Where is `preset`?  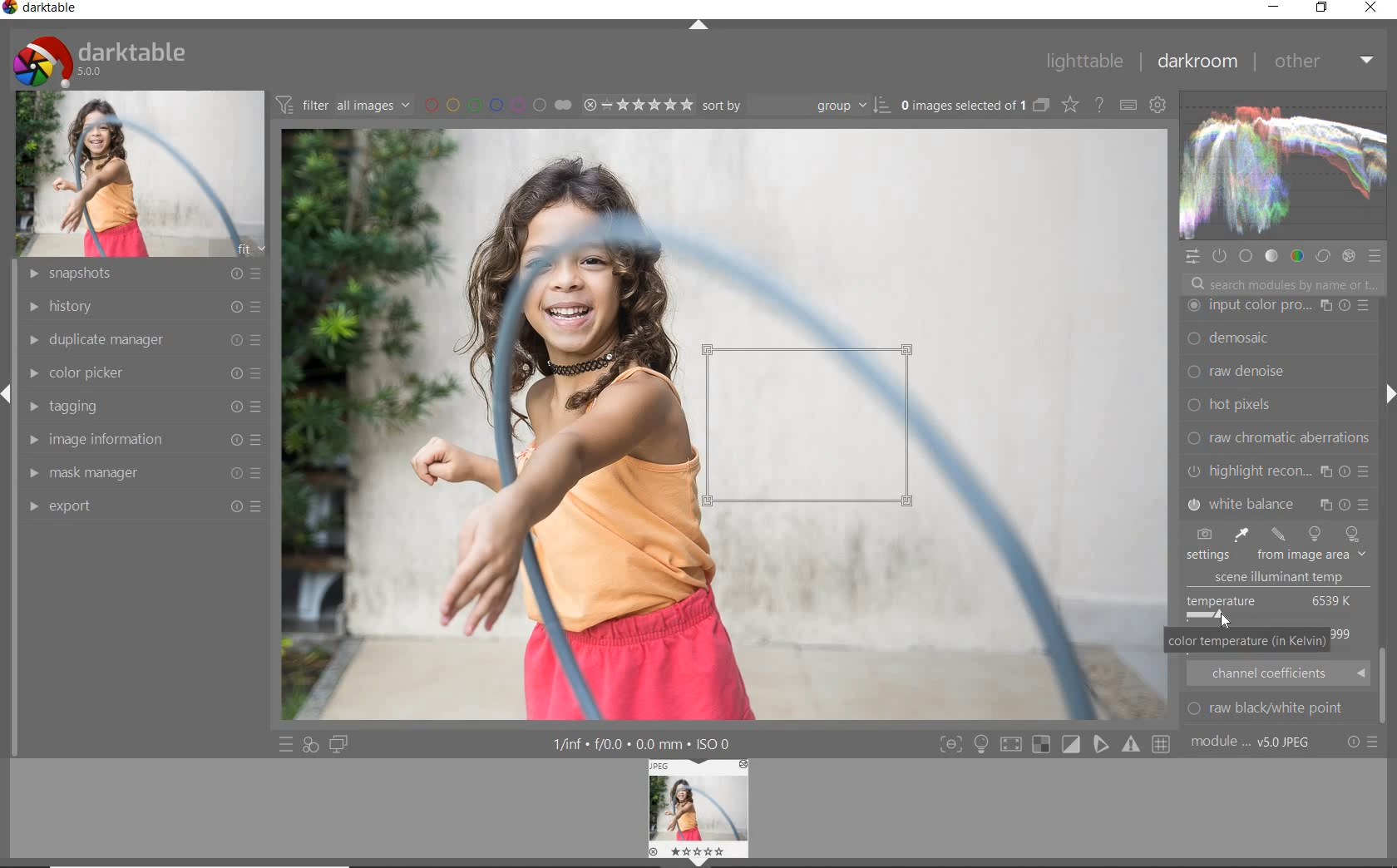
preset is located at coordinates (1377, 259).